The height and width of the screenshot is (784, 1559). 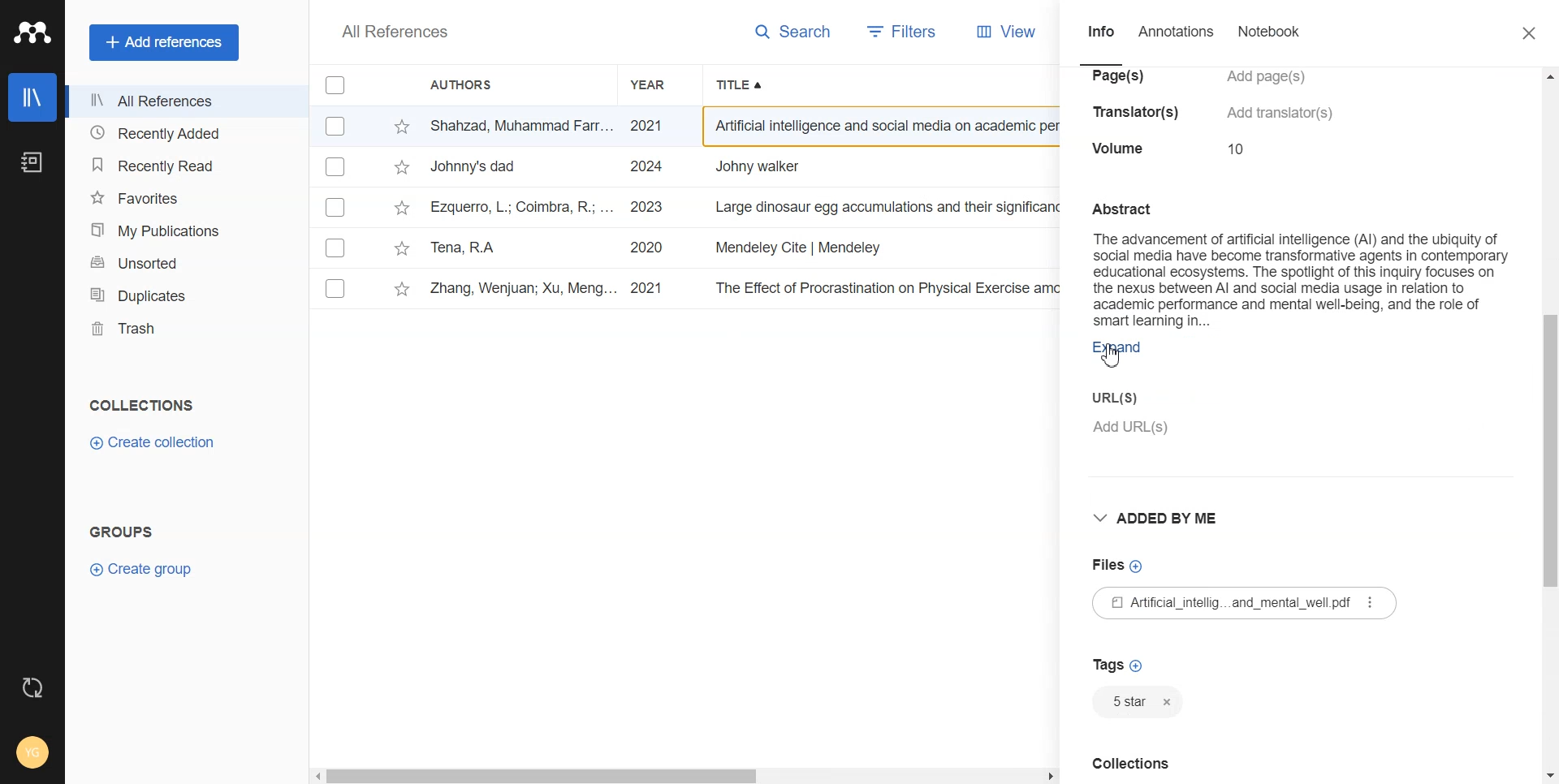 What do you see at coordinates (1107, 32) in the screenshot?
I see `Info` at bounding box center [1107, 32].